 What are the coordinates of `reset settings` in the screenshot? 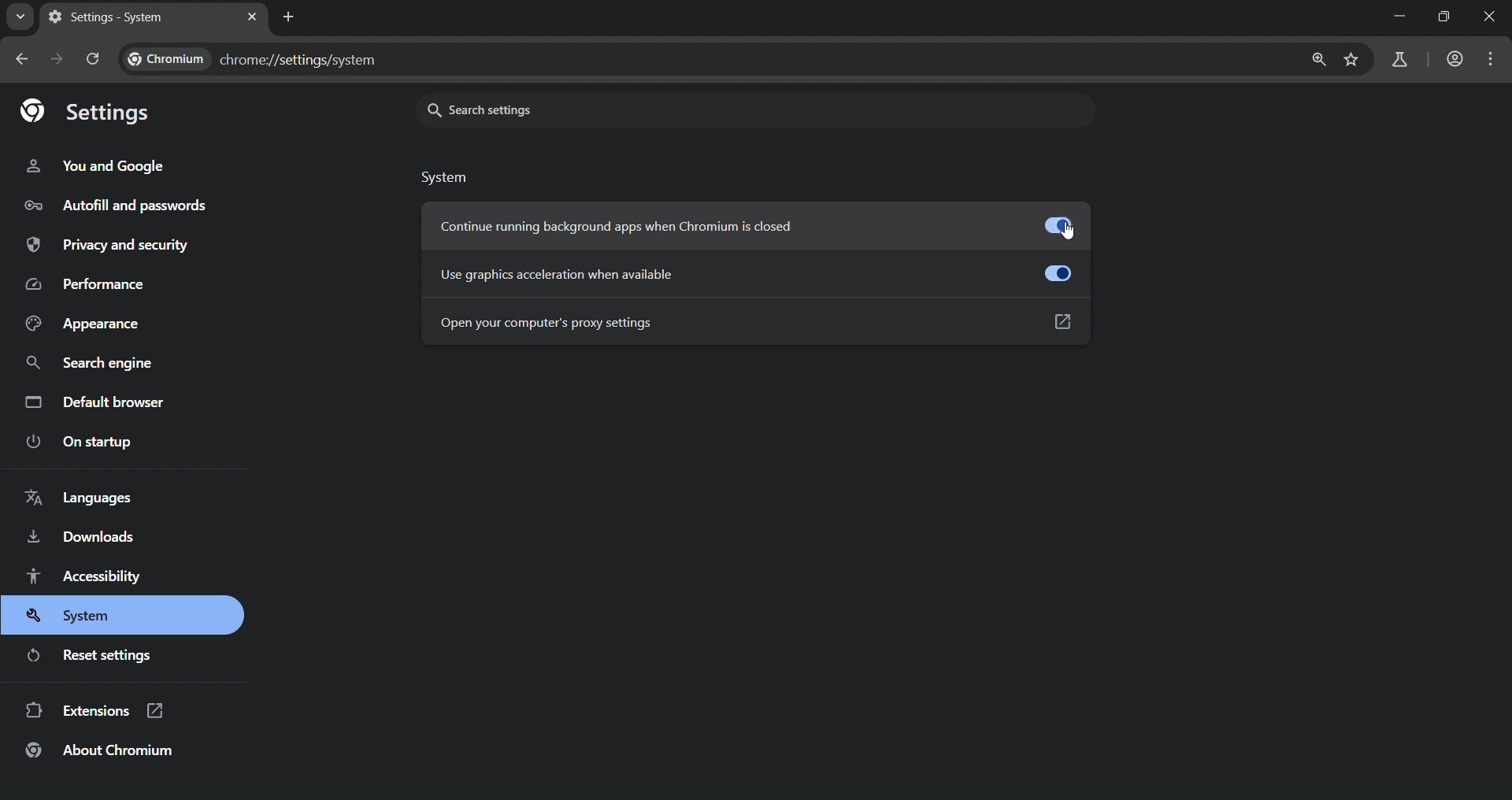 It's located at (98, 655).